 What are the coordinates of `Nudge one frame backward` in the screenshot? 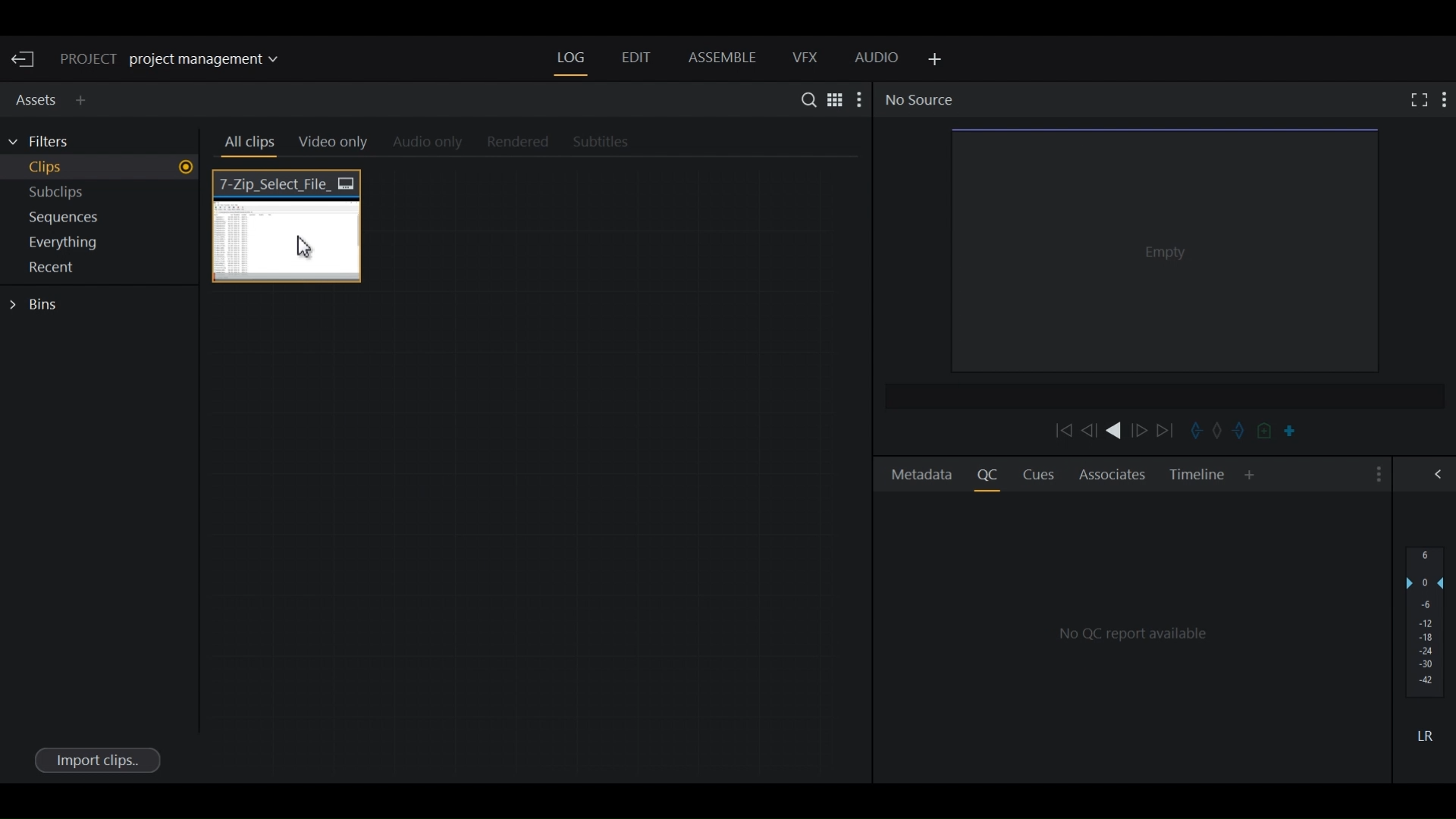 It's located at (1088, 431).